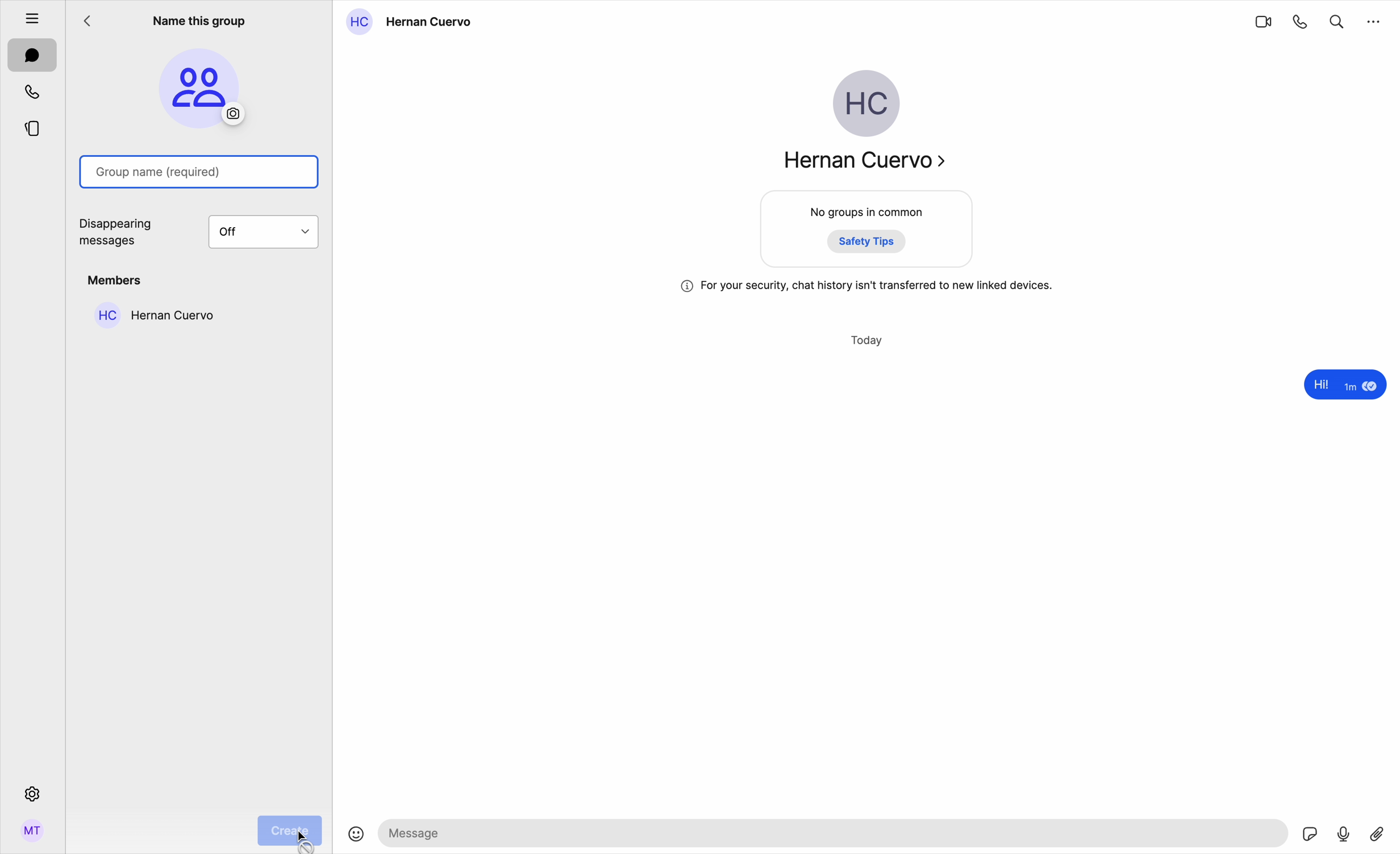 Image resolution: width=1400 pixels, height=854 pixels. What do you see at coordinates (32, 835) in the screenshot?
I see `profile` at bounding box center [32, 835].